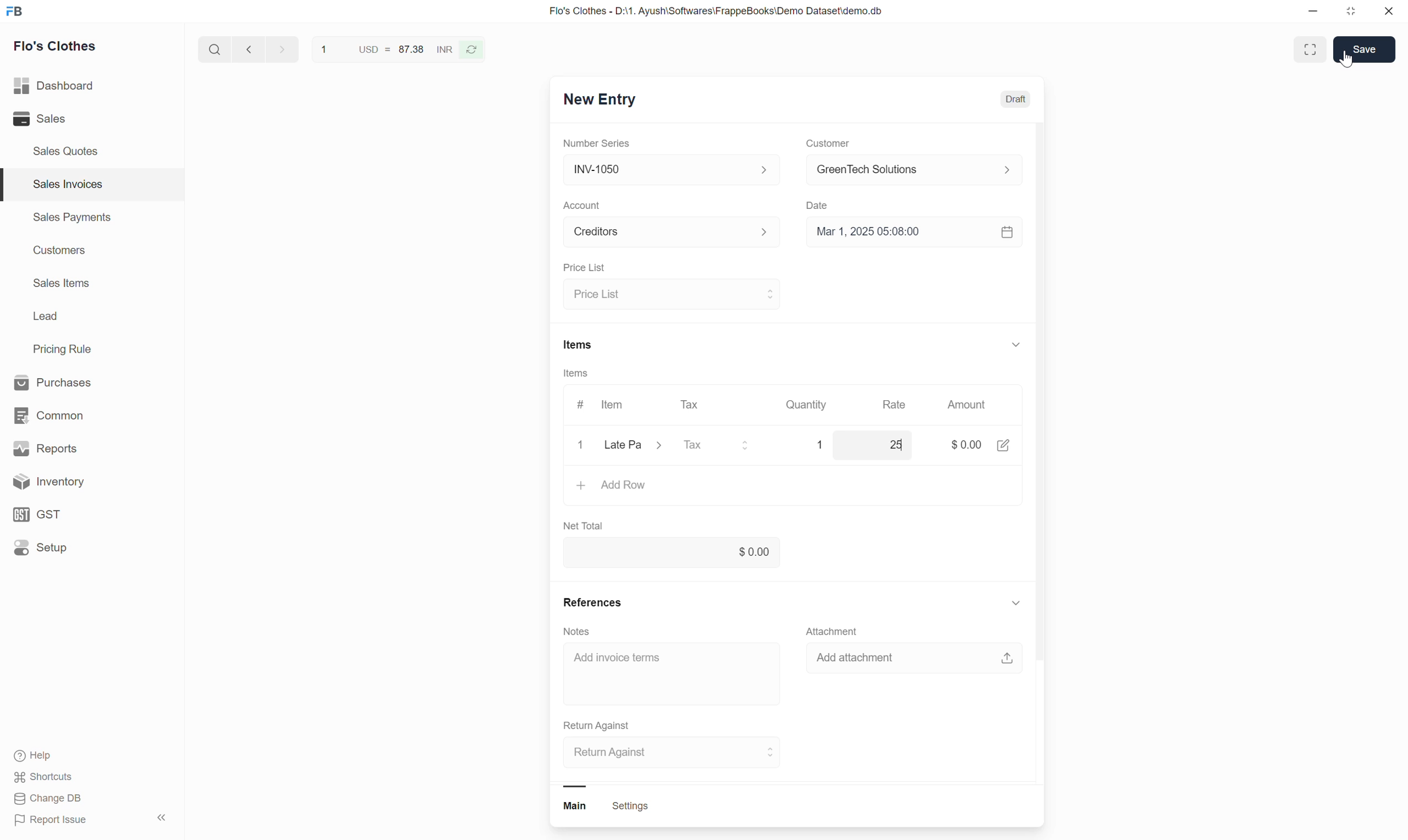 This screenshot has height=840, width=1408. I want to click on Select Account, so click(666, 235).